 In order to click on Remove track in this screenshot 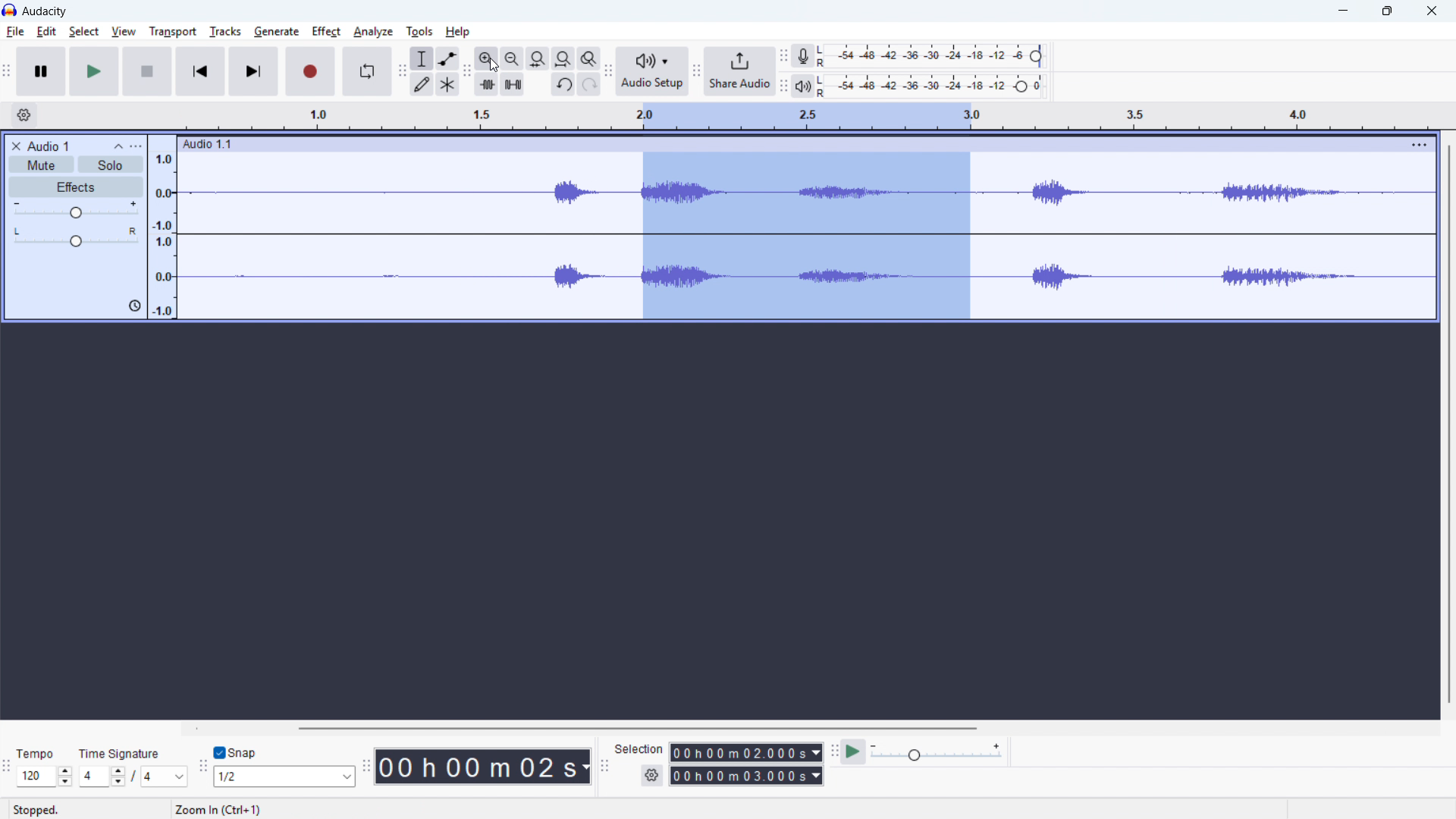, I will do `click(16, 146)`.